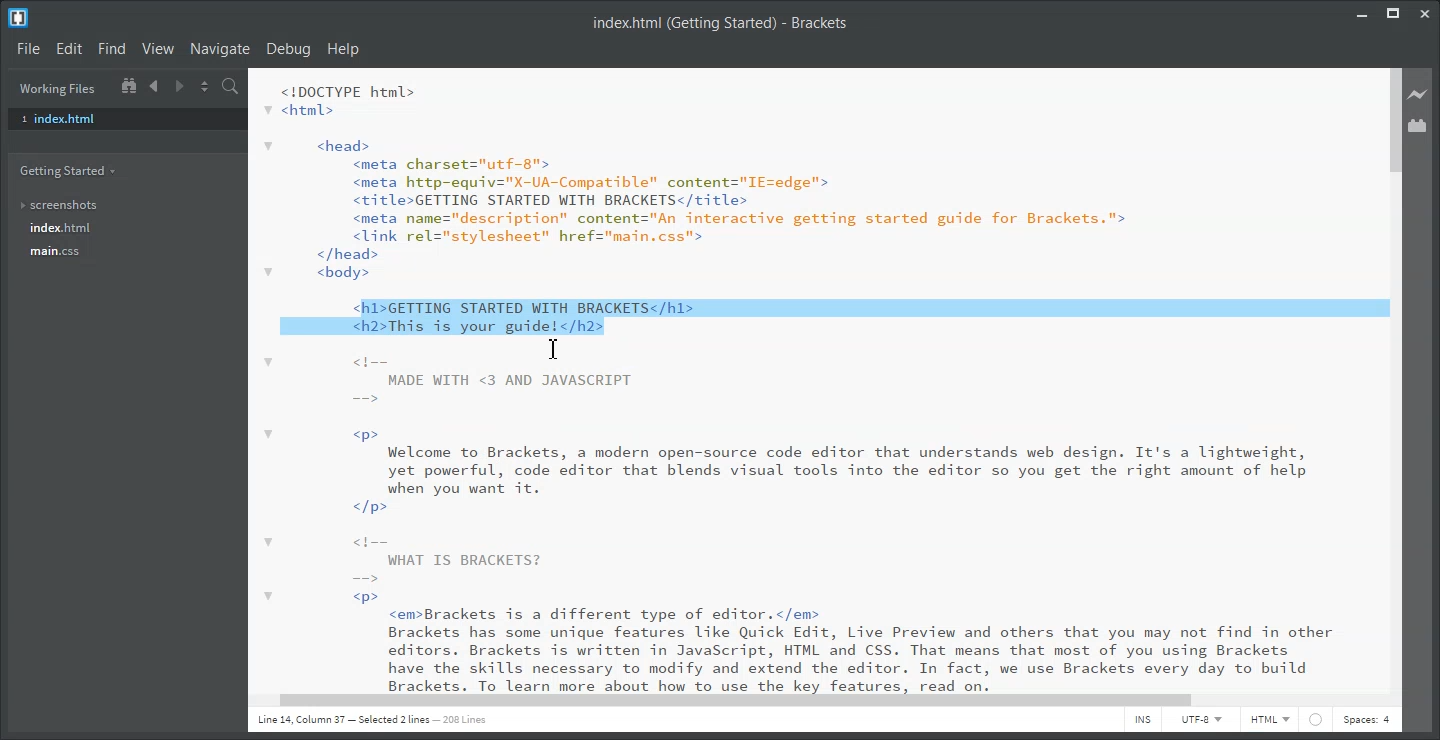 This screenshot has width=1440, height=740. What do you see at coordinates (111, 49) in the screenshot?
I see `Find` at bounding box center [111, 49].